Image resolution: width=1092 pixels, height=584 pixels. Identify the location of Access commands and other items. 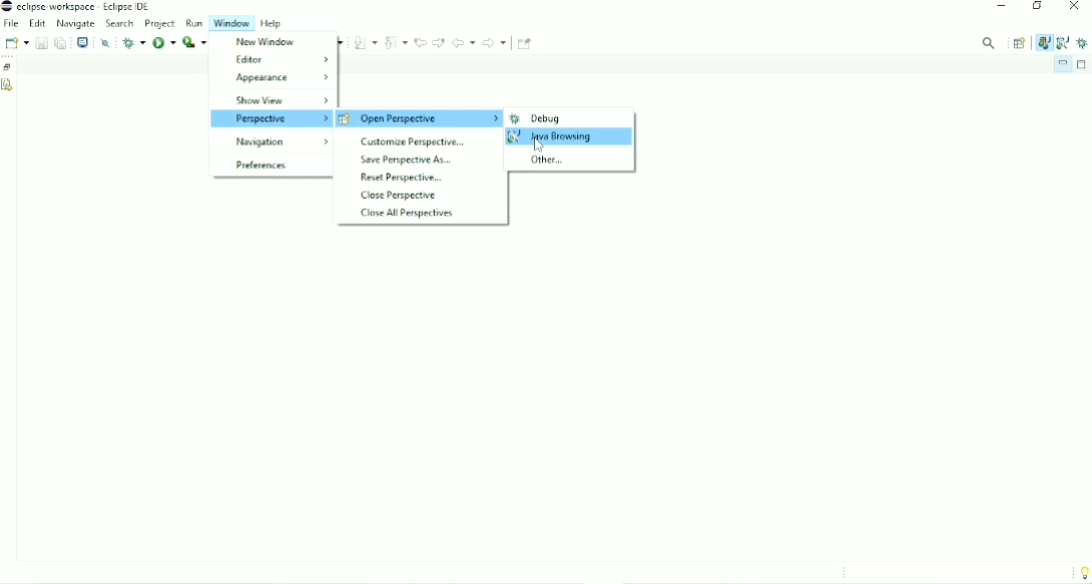
(988, 42).